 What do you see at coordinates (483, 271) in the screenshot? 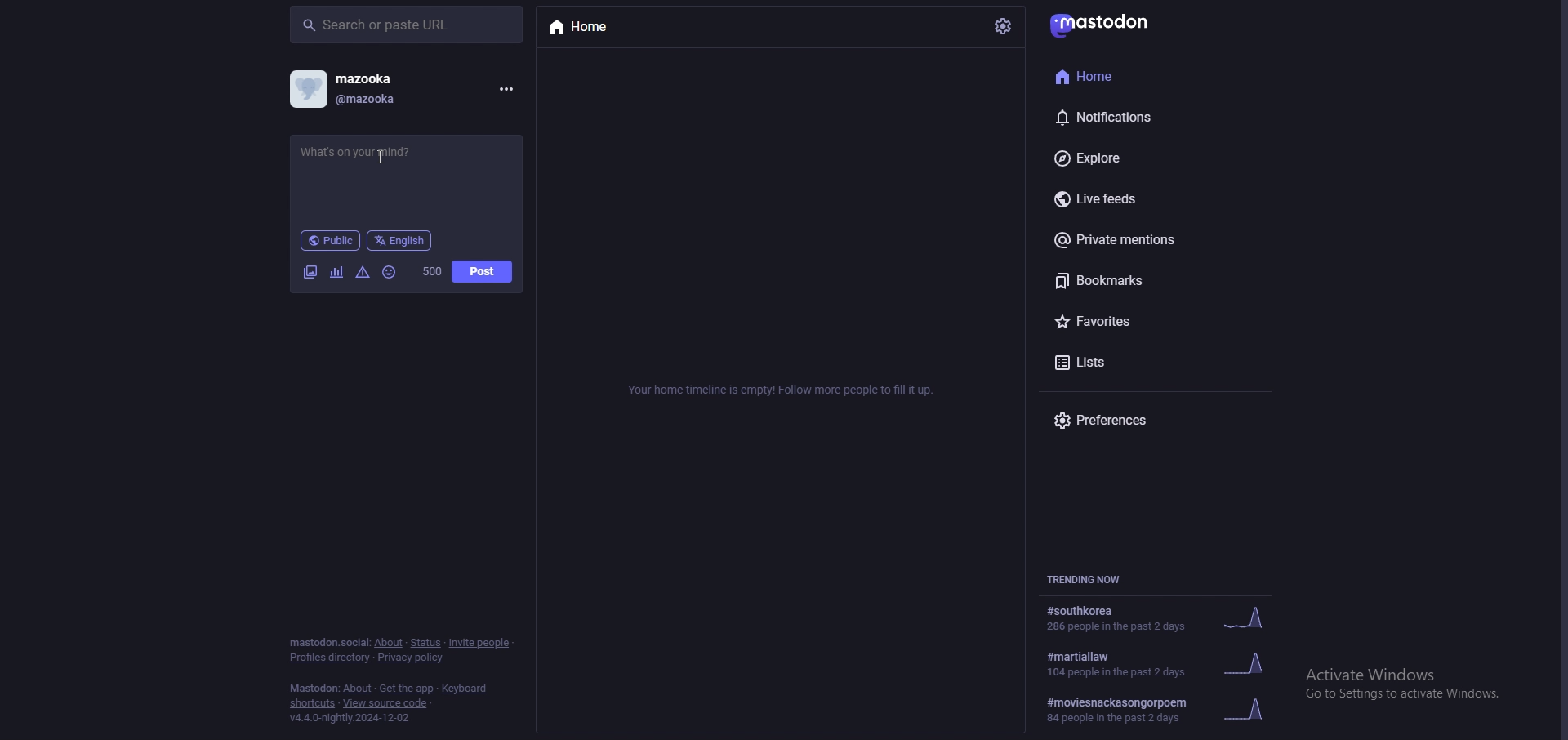
I see `post` at bounding box center [483, 271].